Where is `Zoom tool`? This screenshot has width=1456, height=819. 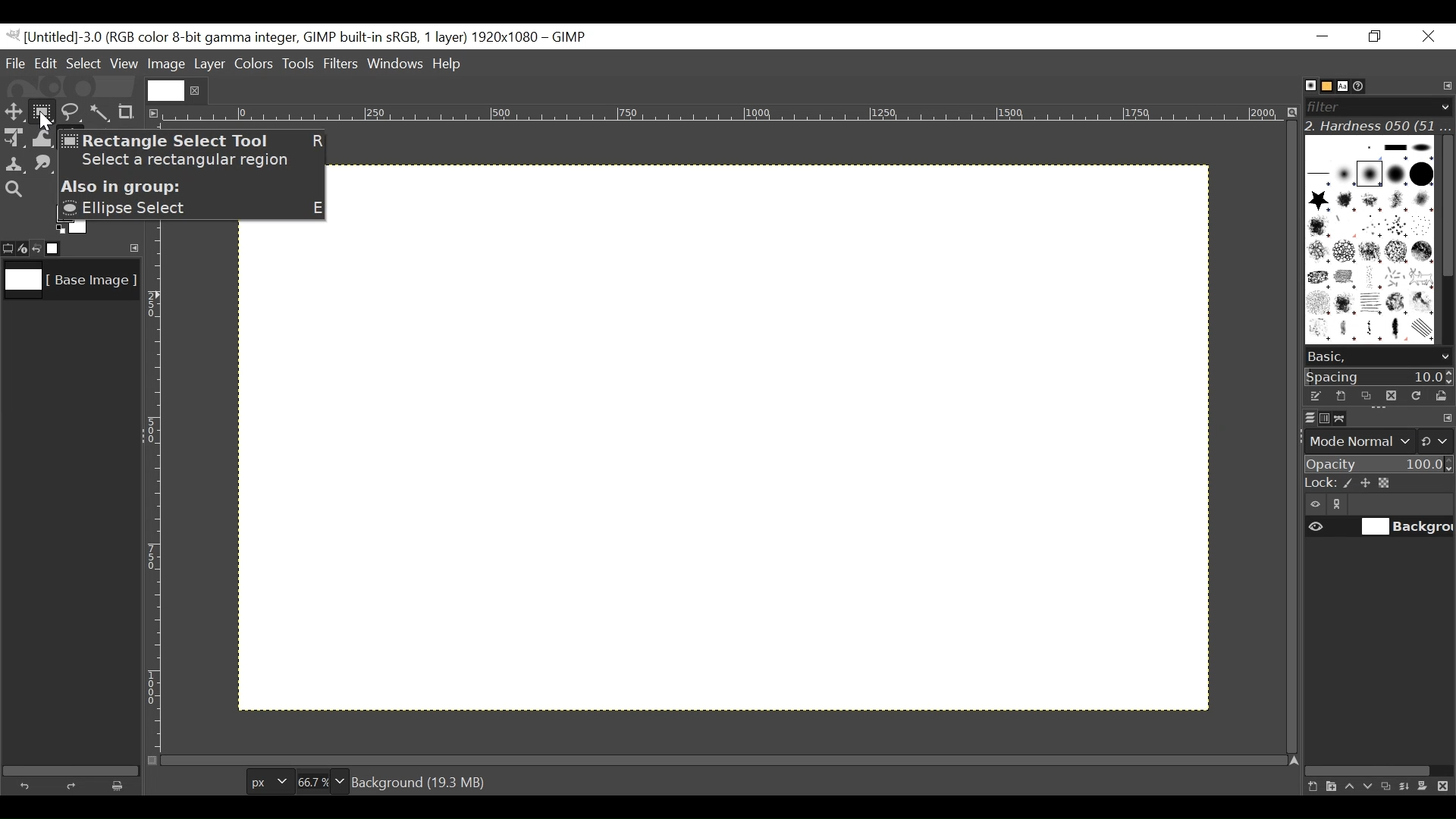 Zoom tool is located at coordinates (14, 188).